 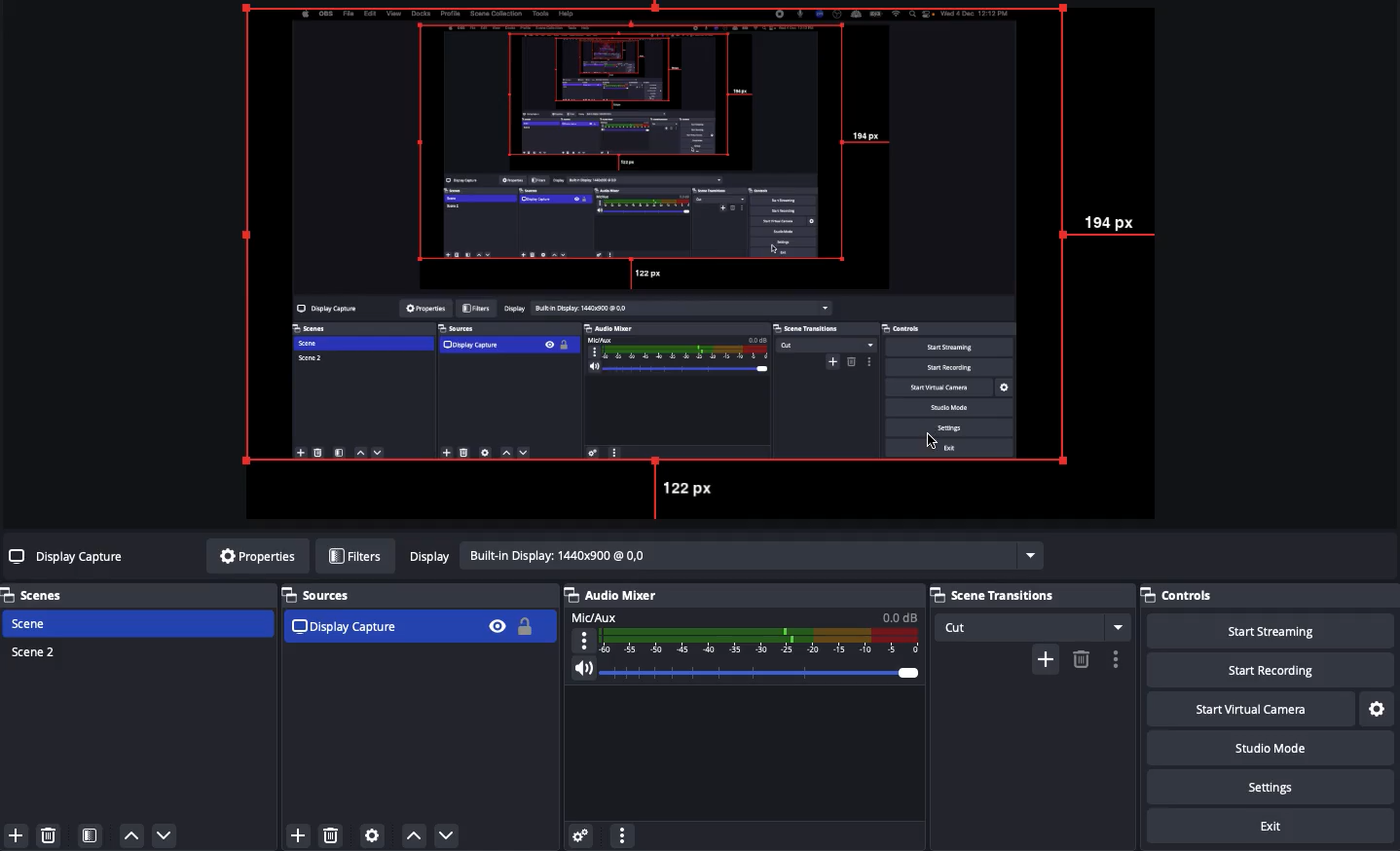 I want to click on Delete, so click(x=332, y=832).